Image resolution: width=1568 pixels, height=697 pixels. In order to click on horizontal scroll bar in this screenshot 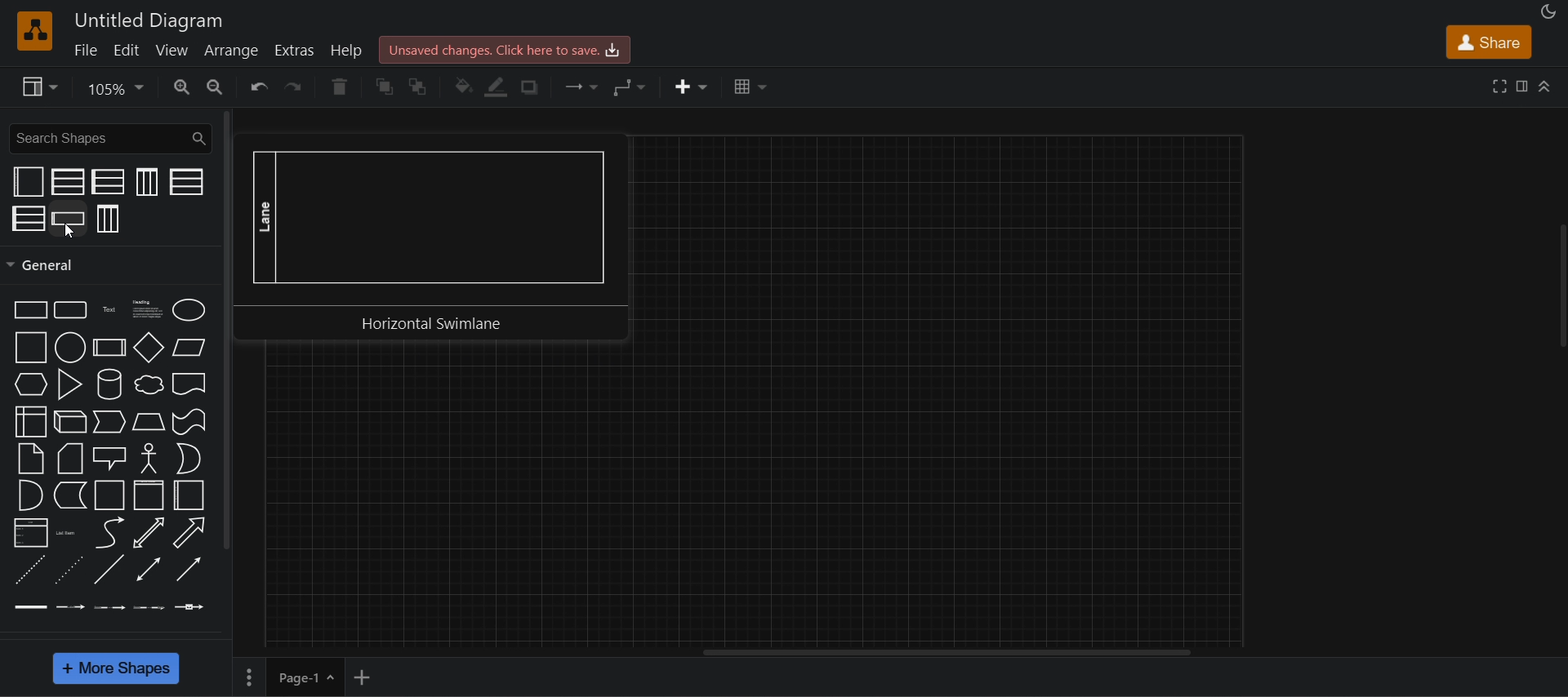, I will do `click(943, 654)`.